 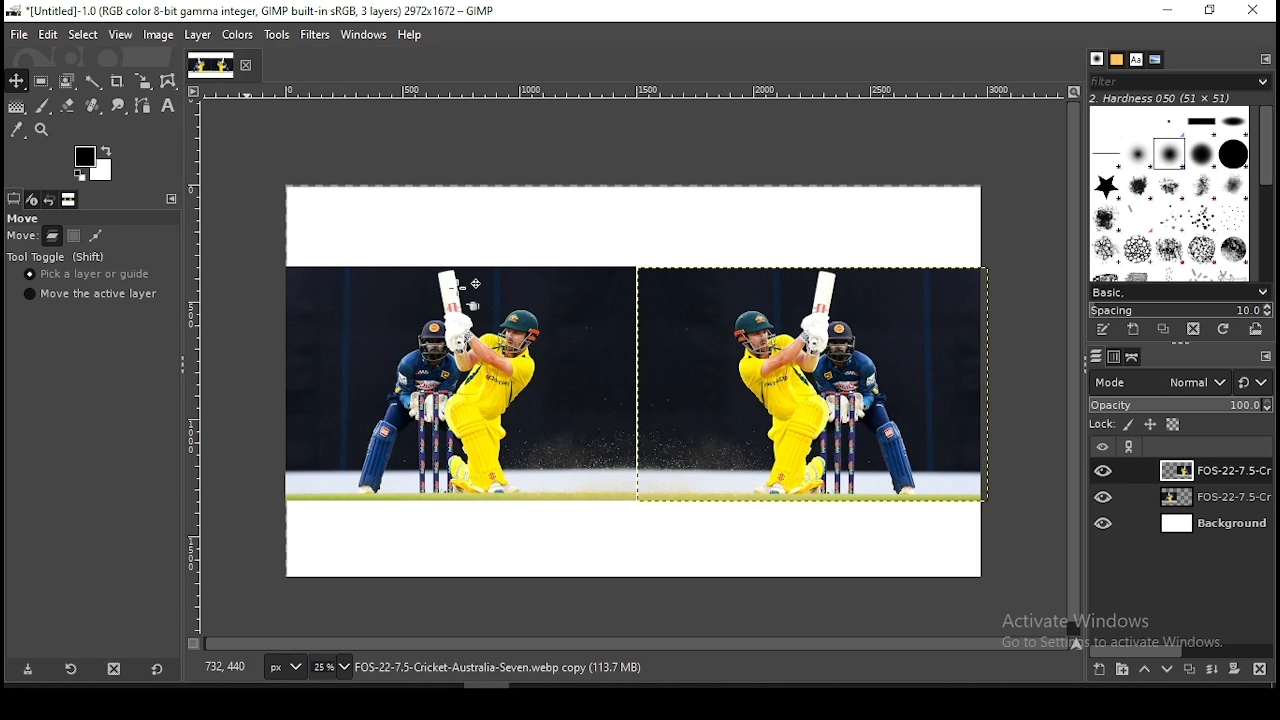 I want to click on filters, so click(x=316, y=35).